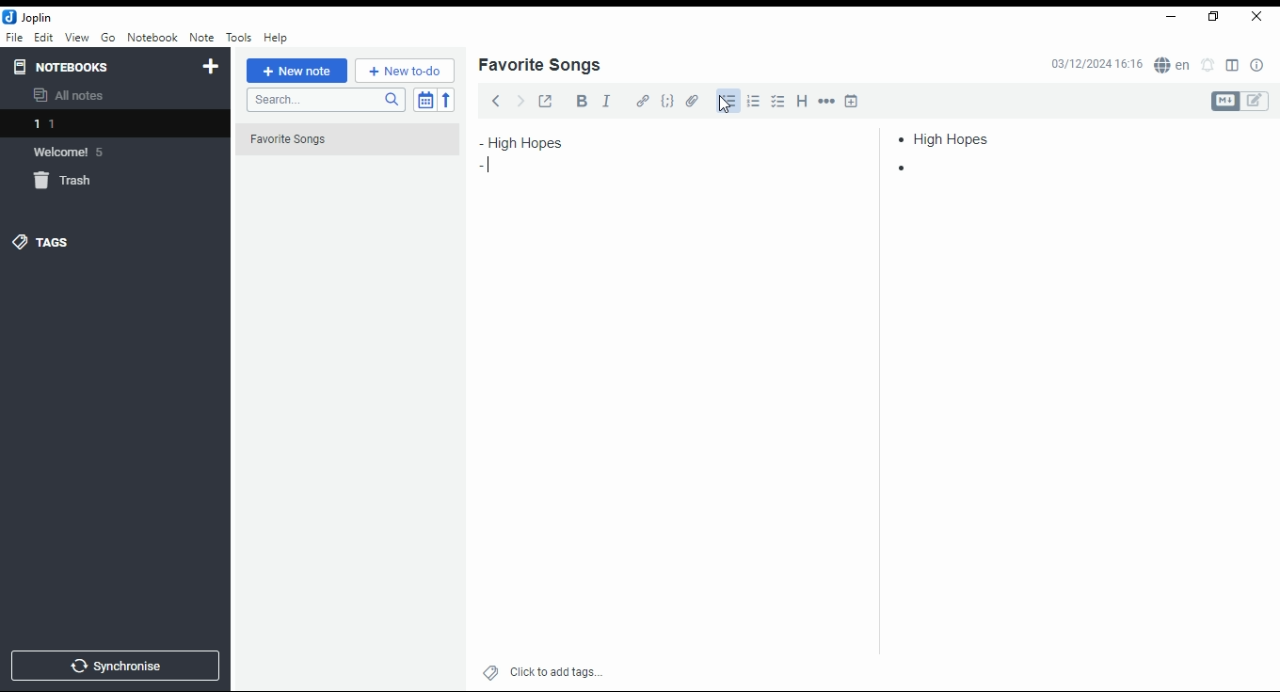 The height and width of the screenshot is (692, 1280). I want to click on note properties, so click(1258, 66).